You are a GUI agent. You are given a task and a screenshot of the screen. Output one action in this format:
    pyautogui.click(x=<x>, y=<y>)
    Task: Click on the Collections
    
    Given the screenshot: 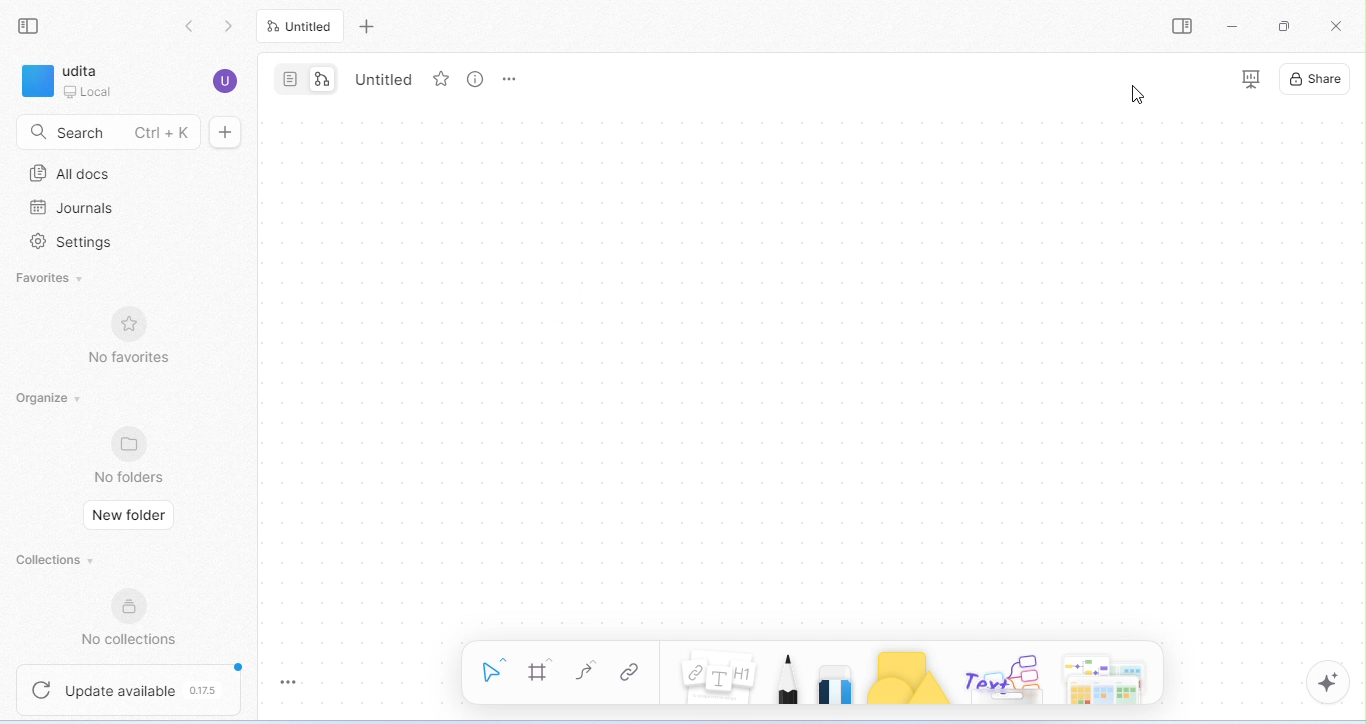 What is the action you would take?
    pyautogui.click(x=45, y=560)
    